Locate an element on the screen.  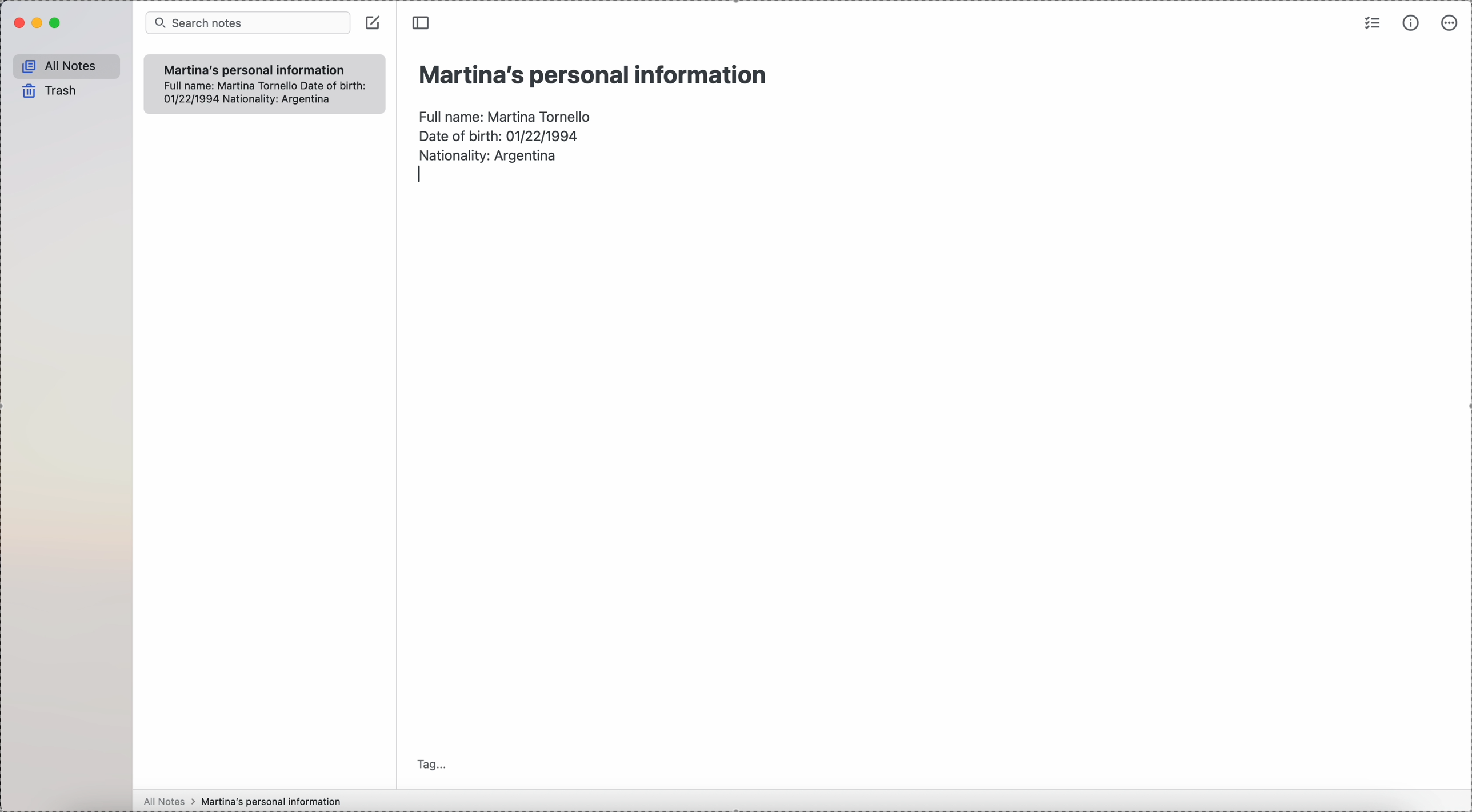
metrics is located at coordinates (1413, 23).